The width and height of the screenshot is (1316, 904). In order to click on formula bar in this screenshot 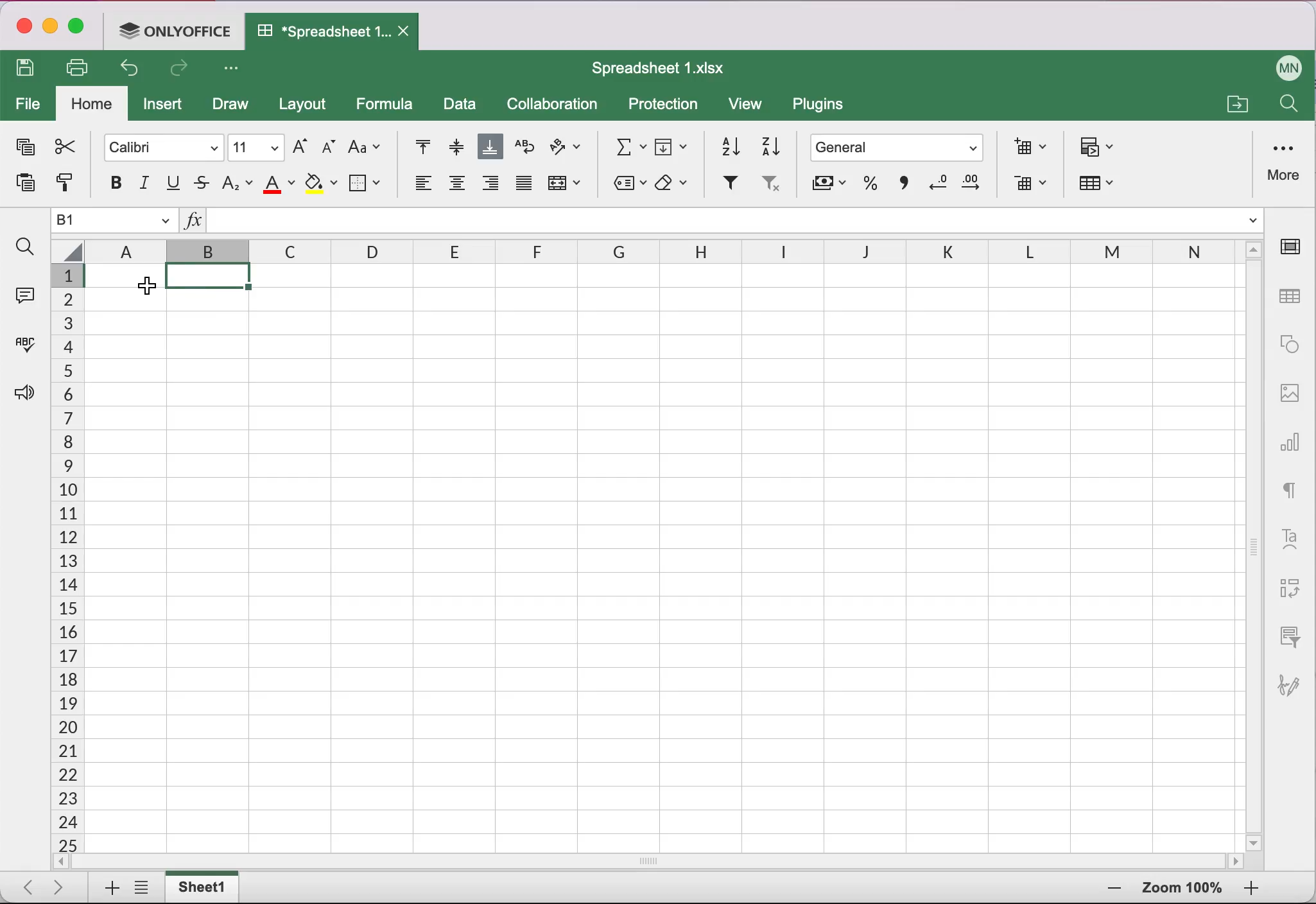, I will do `click(737, 223)`.